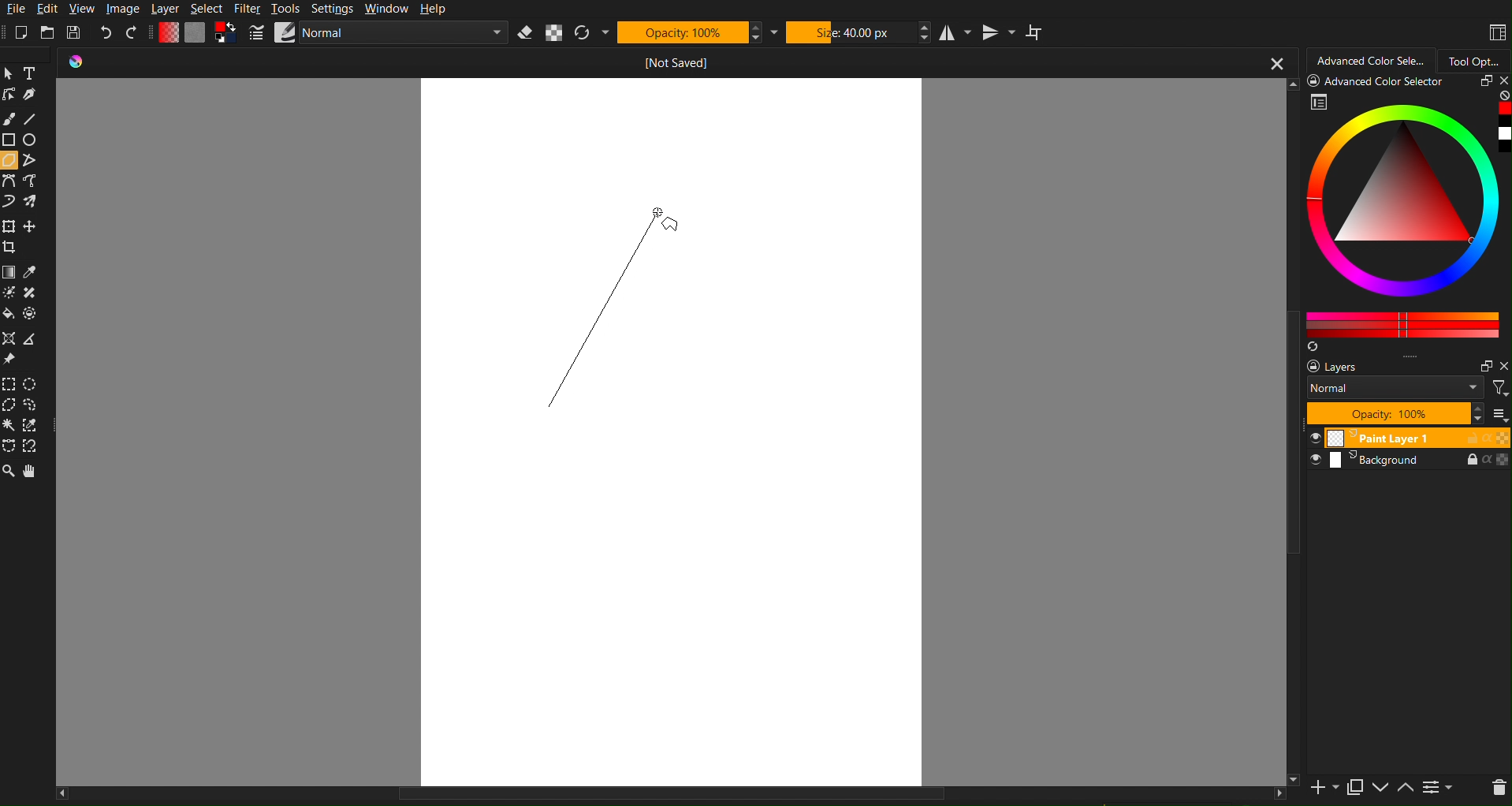 This screenshot has width=1512, height=806. Describe the element at coordinates (1438, 789) in the screenshot. I see `view or change layer properties` at that location.